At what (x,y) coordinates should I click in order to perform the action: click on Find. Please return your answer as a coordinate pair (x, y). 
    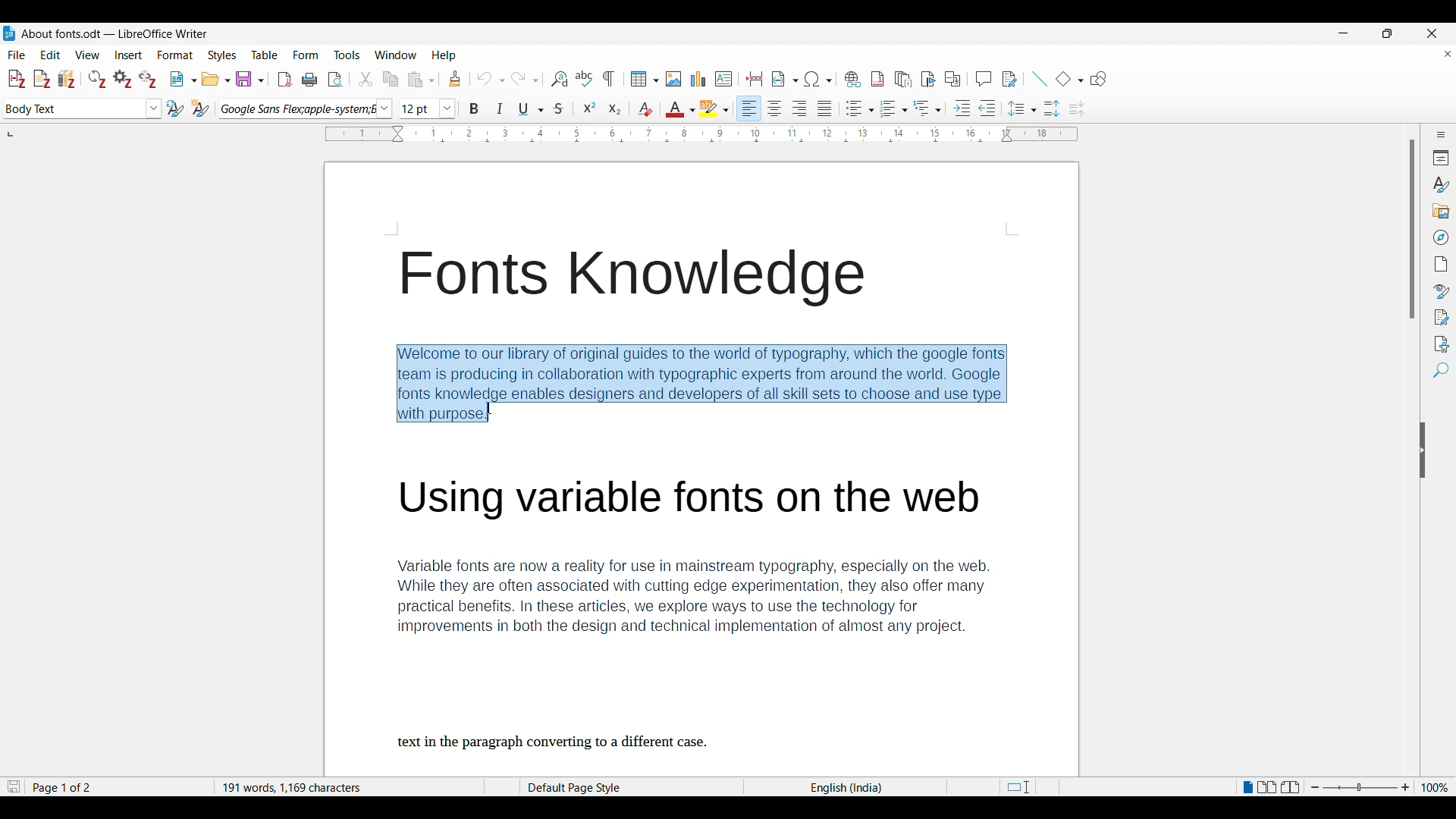
    Looking at the image, I should click on (1442, 370).